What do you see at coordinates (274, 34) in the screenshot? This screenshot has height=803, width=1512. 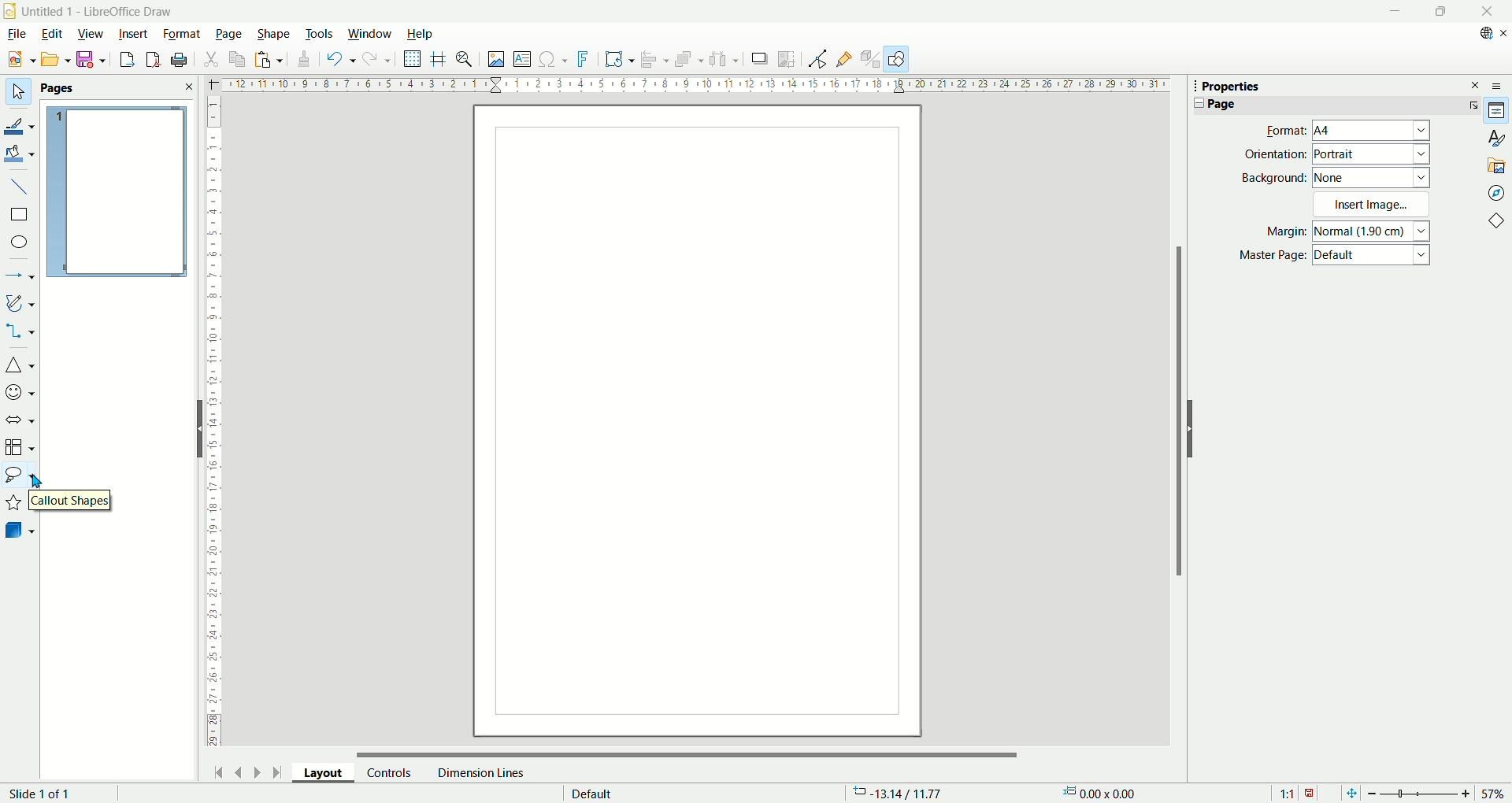 I see `shape` at bounding box center [274, 34].